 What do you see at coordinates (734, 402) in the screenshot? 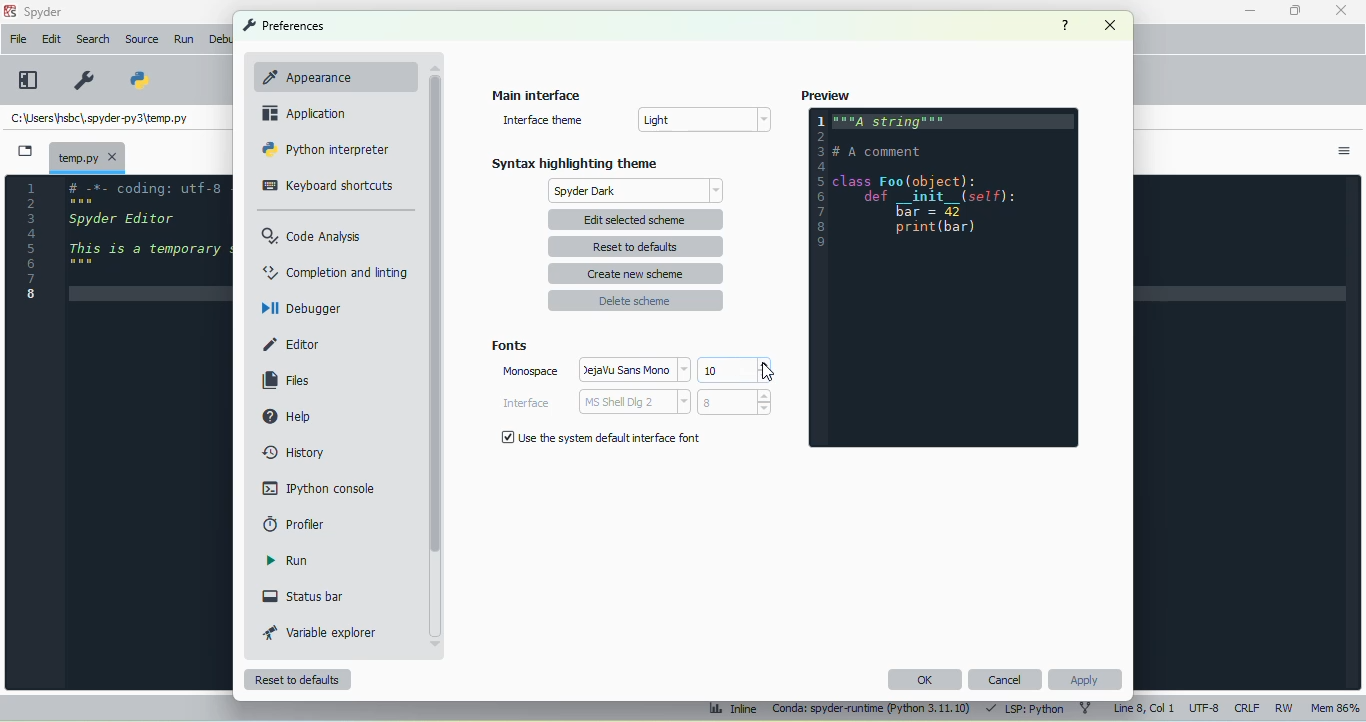
I see `8` at bounding box center [734, 402].